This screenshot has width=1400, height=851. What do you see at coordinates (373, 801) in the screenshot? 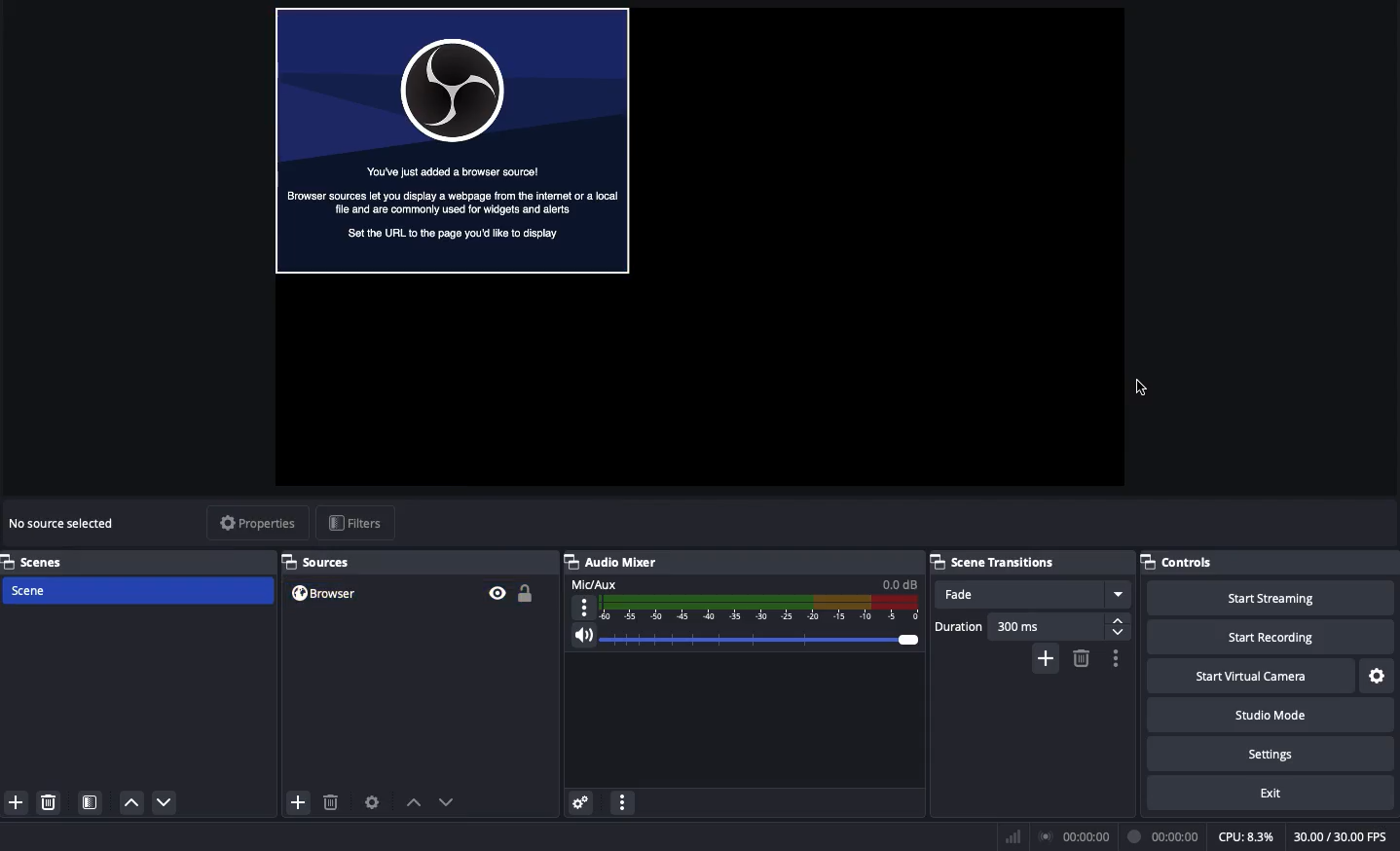
I see `Source preference` at bounding box center [373, 801].